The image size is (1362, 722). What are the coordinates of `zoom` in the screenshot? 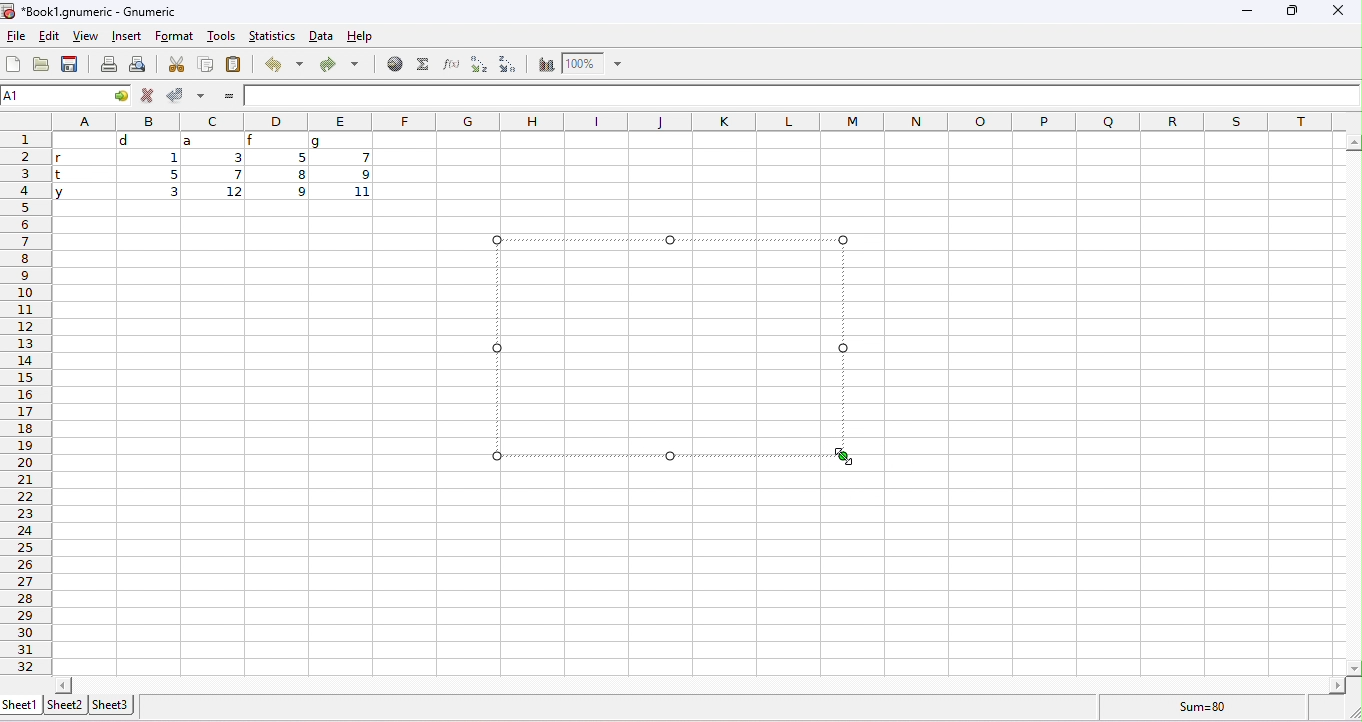 It's located at (592, 63).